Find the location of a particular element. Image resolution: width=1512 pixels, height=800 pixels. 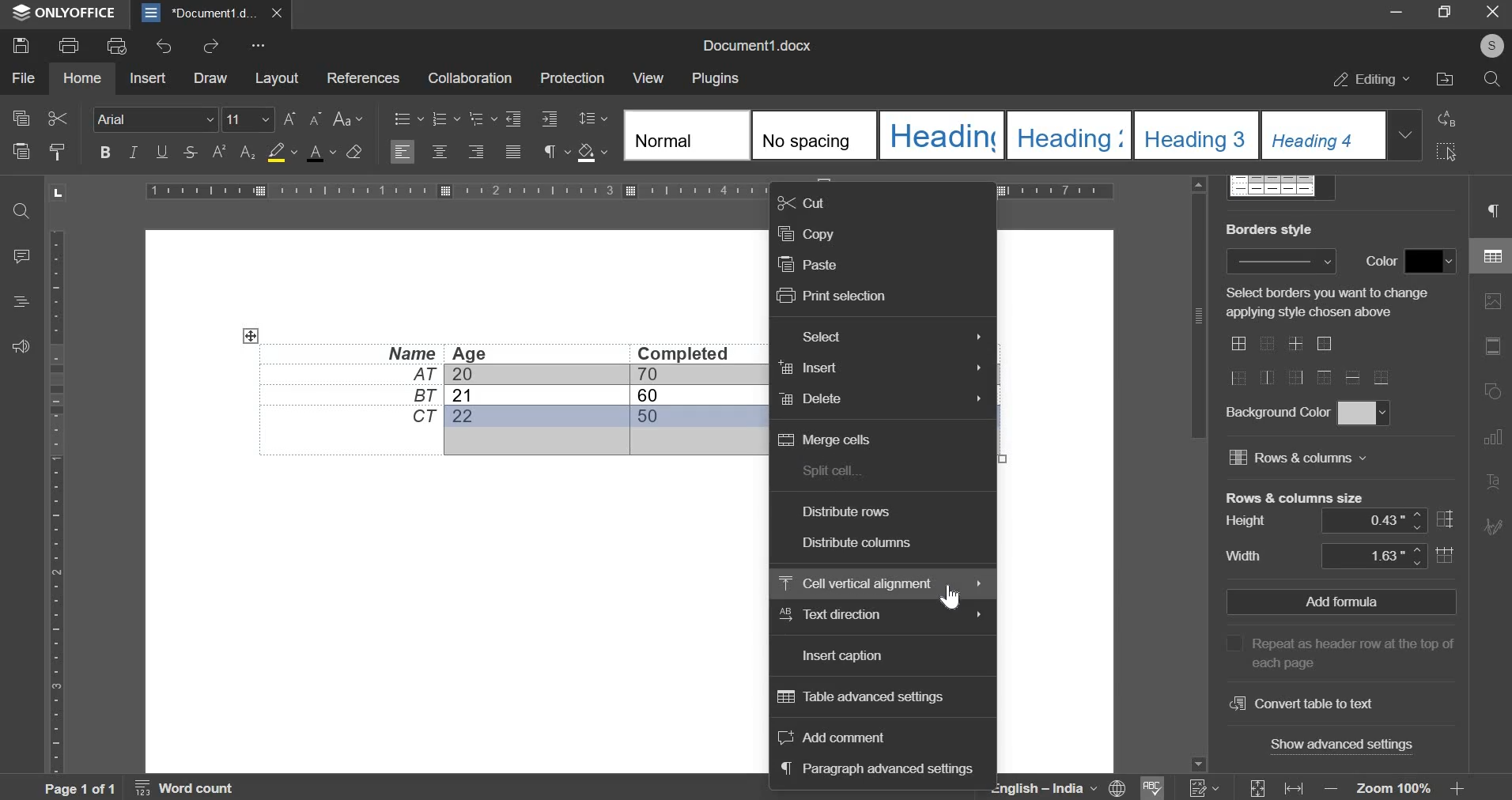

comment is located at coordinates (23, 253).